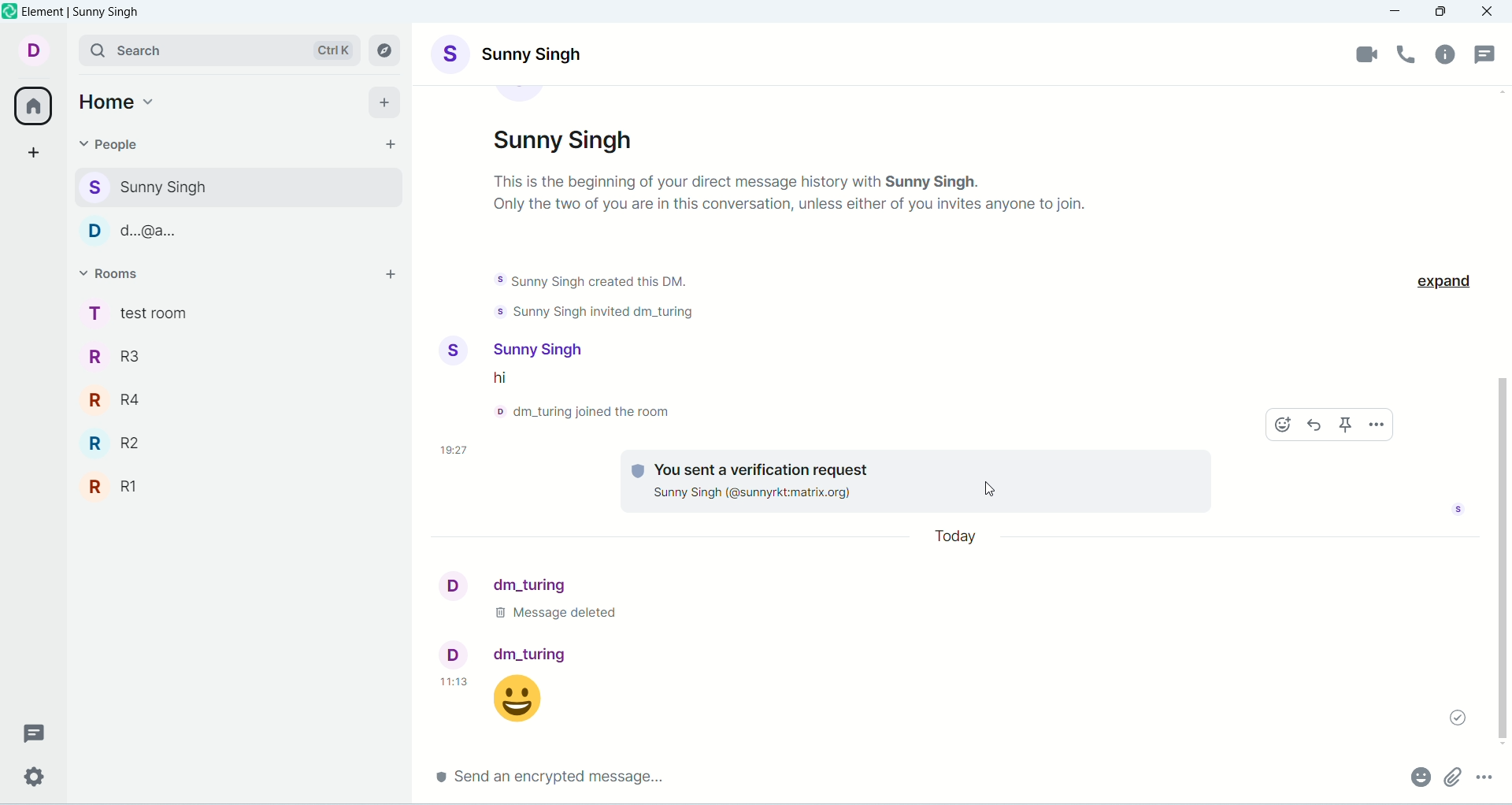 The width and height of the screenshot is (1512, 805). Describe the element at coordinates (454, 351) in the screenshot. I see `display picture` at that location.